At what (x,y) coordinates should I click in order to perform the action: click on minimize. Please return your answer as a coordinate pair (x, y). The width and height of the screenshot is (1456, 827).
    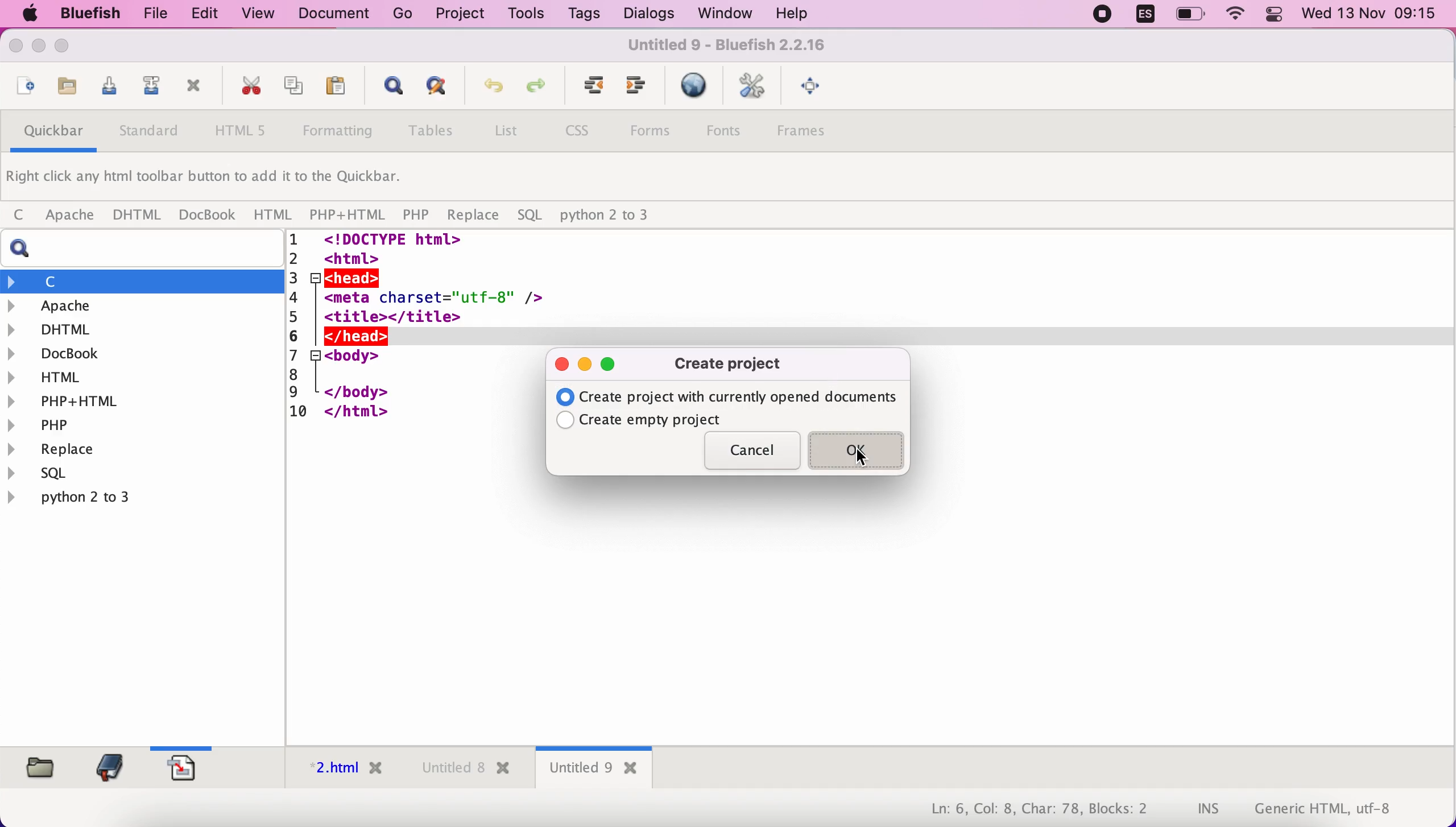
    Looking at the image, I should click on (585, 362).